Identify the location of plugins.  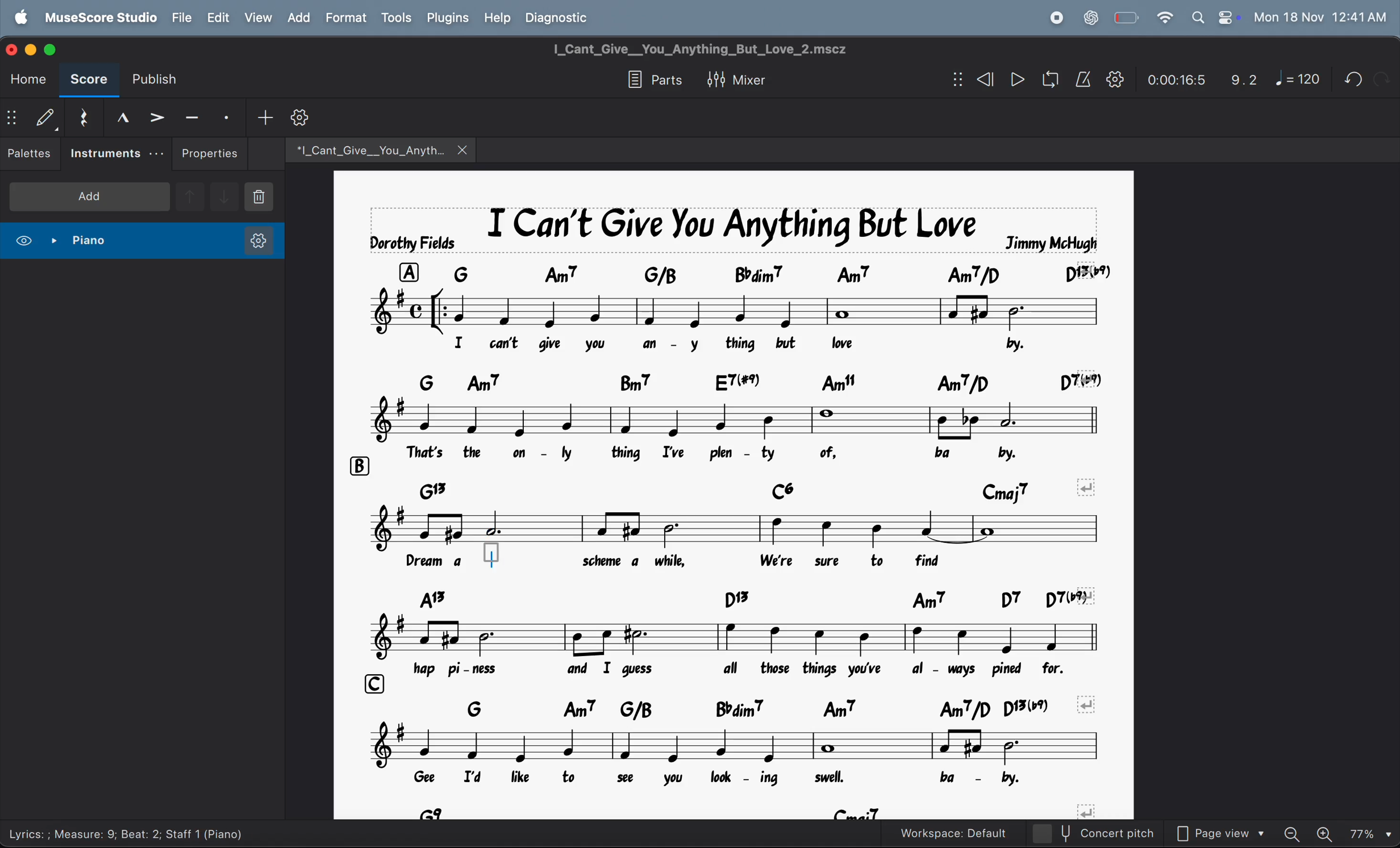
(448, 19).